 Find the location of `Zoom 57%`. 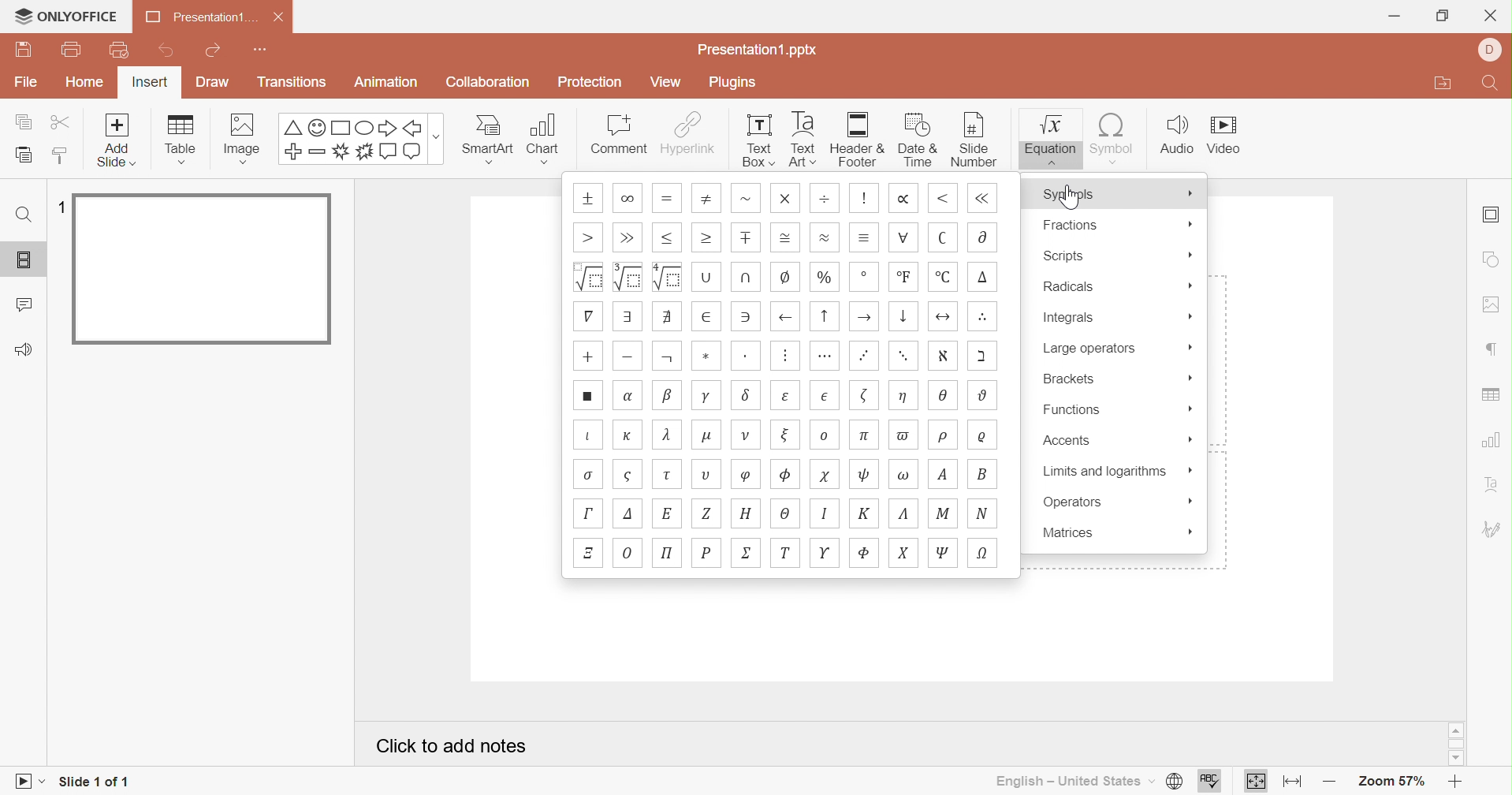

Zoom 57% is located at coordinates (1389, 780).